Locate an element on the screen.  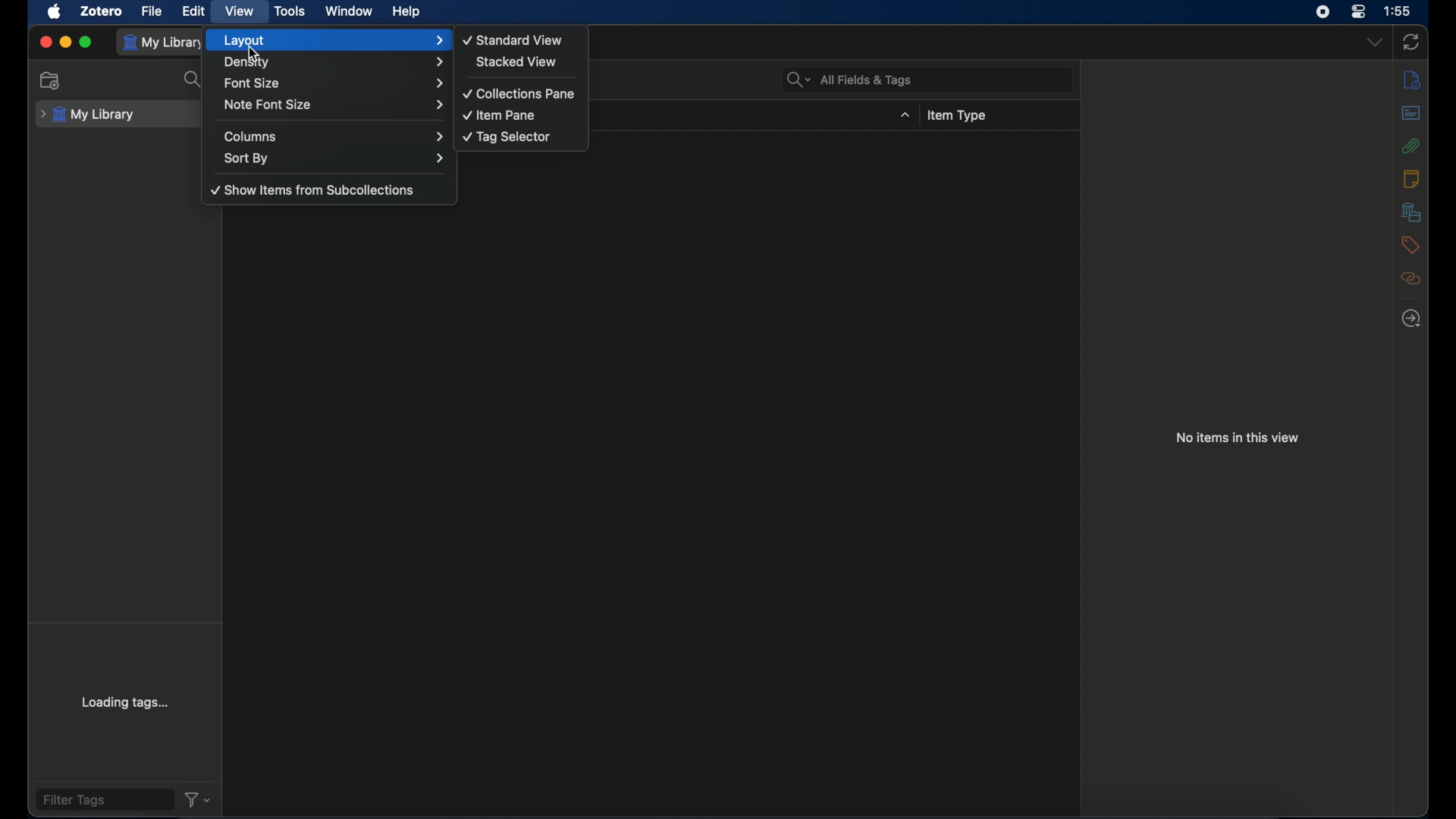
dropdown is located at coordinates (1375, 43).